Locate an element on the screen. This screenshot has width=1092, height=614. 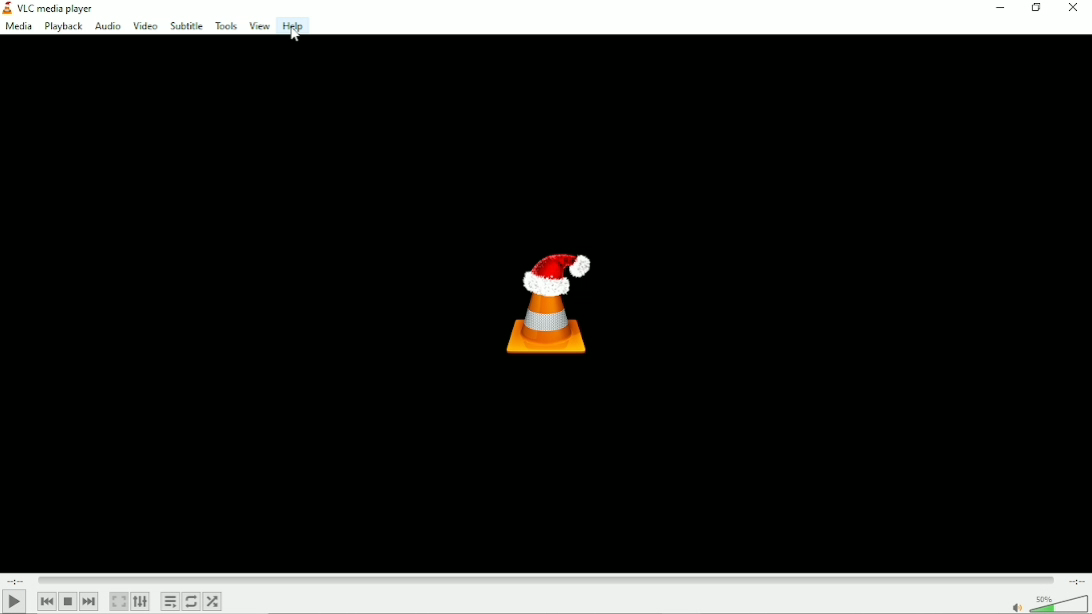
Next is located at coordinates (89, 602).